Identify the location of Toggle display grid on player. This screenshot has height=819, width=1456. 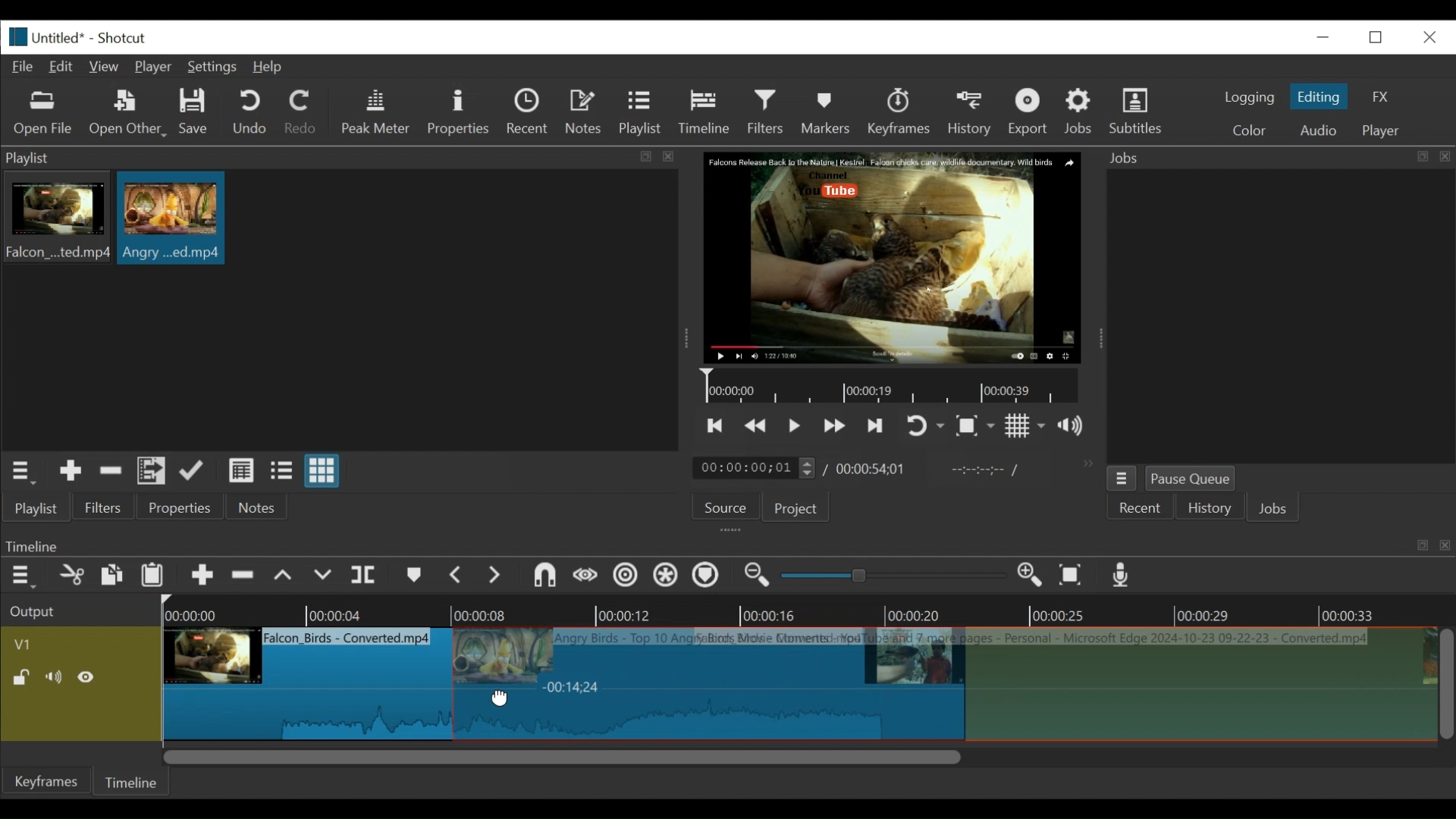
(1025, 425).